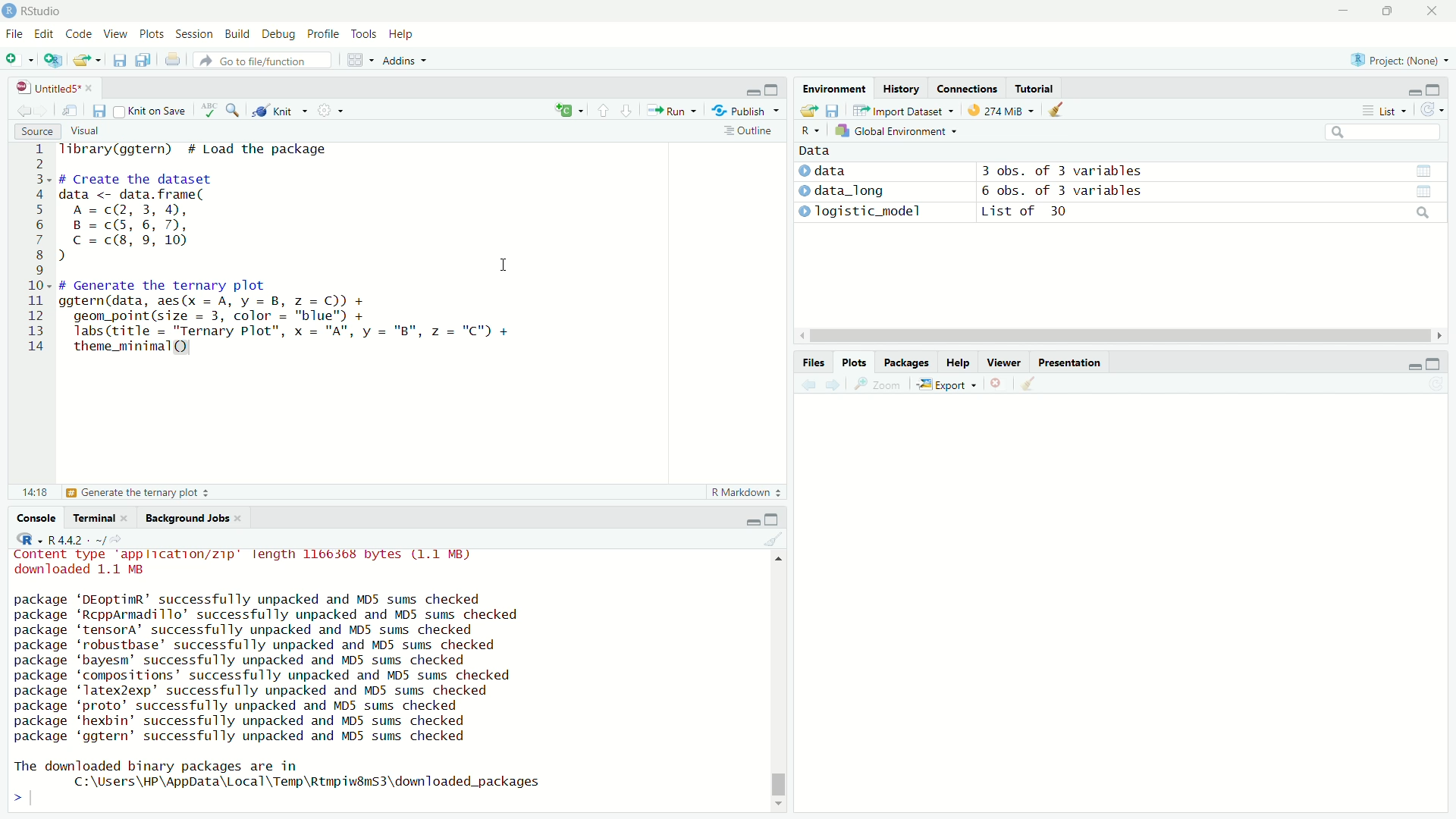 This screenshot has width=1456, height=819. I want to click on next, so click(839, 385).